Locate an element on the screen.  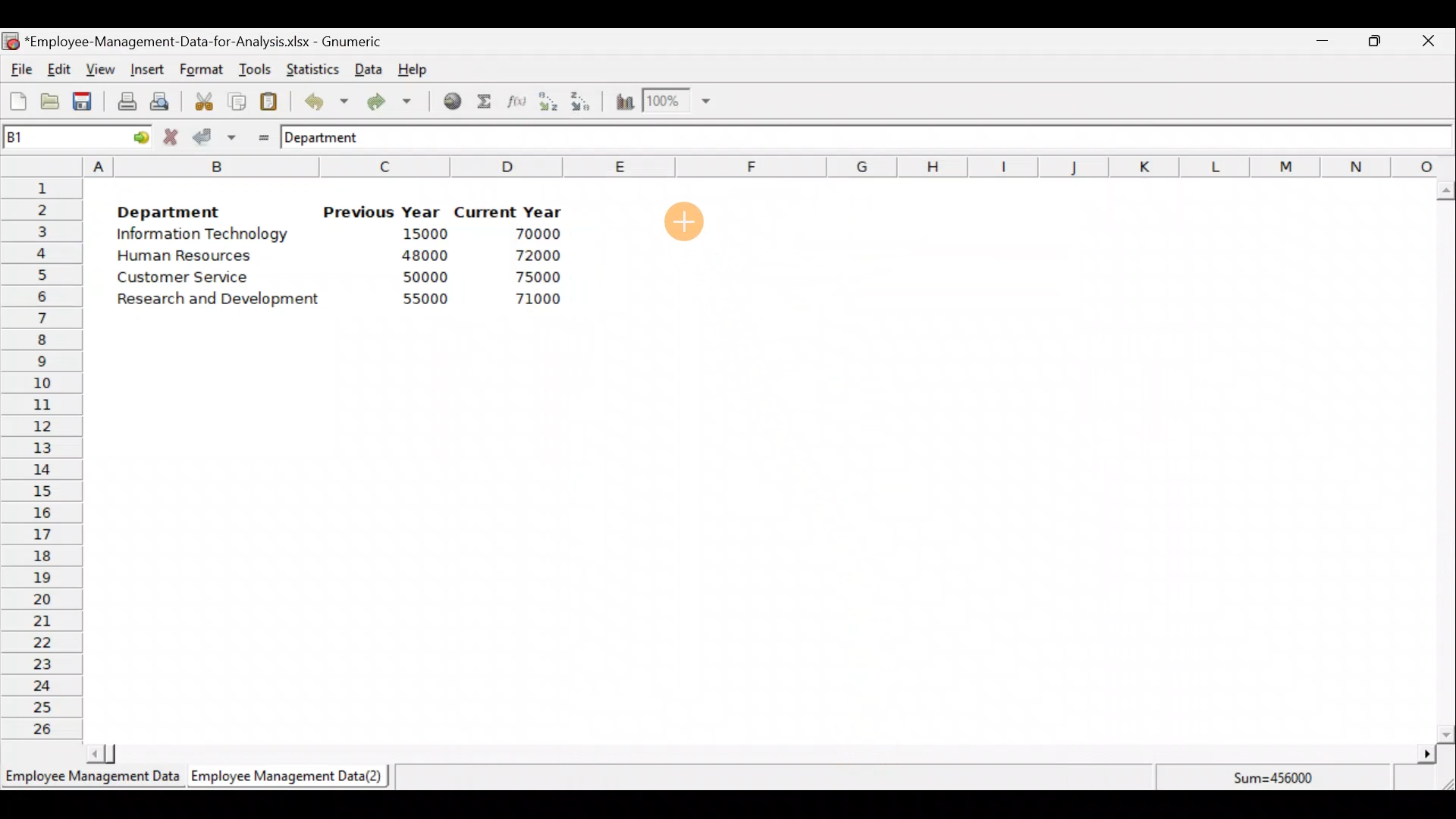
Cancel change is located at coordinates (173, 136).